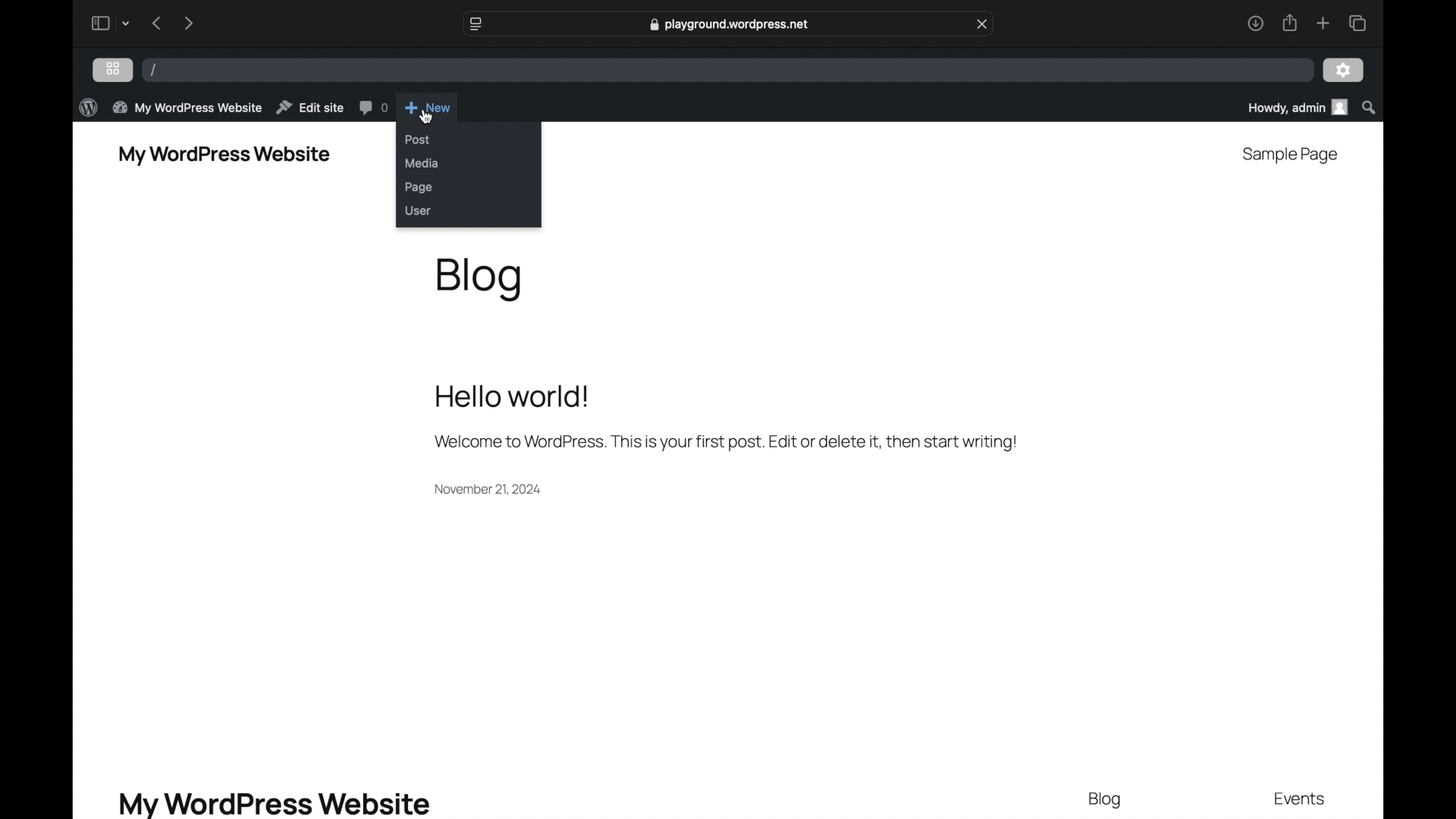 The height and width of the screenshot is (819, 1456). I want to click on playground.wordpress.net, so click(731, 24).